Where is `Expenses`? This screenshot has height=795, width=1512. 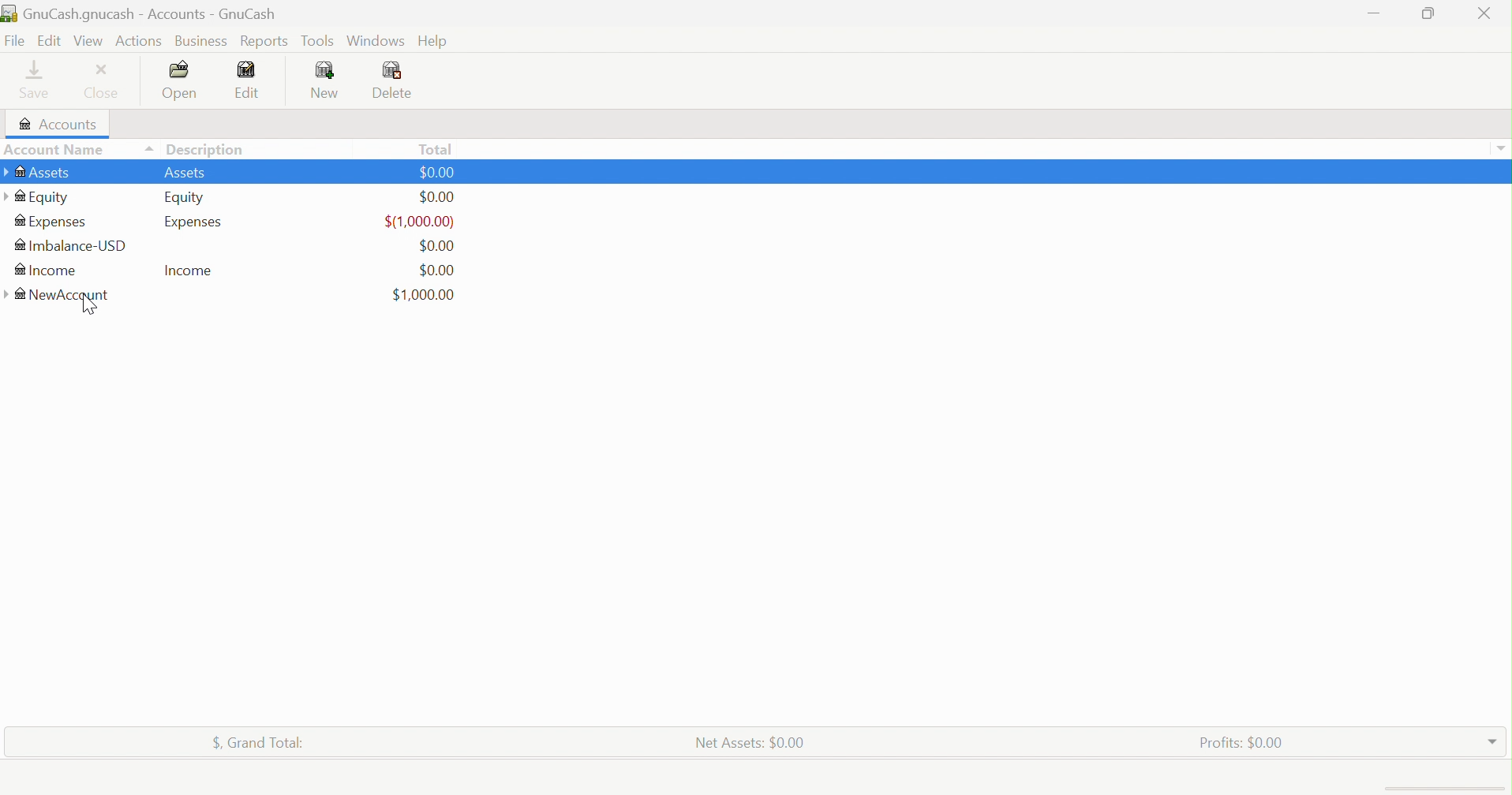 Expenses is located at coordinates (196, 221).